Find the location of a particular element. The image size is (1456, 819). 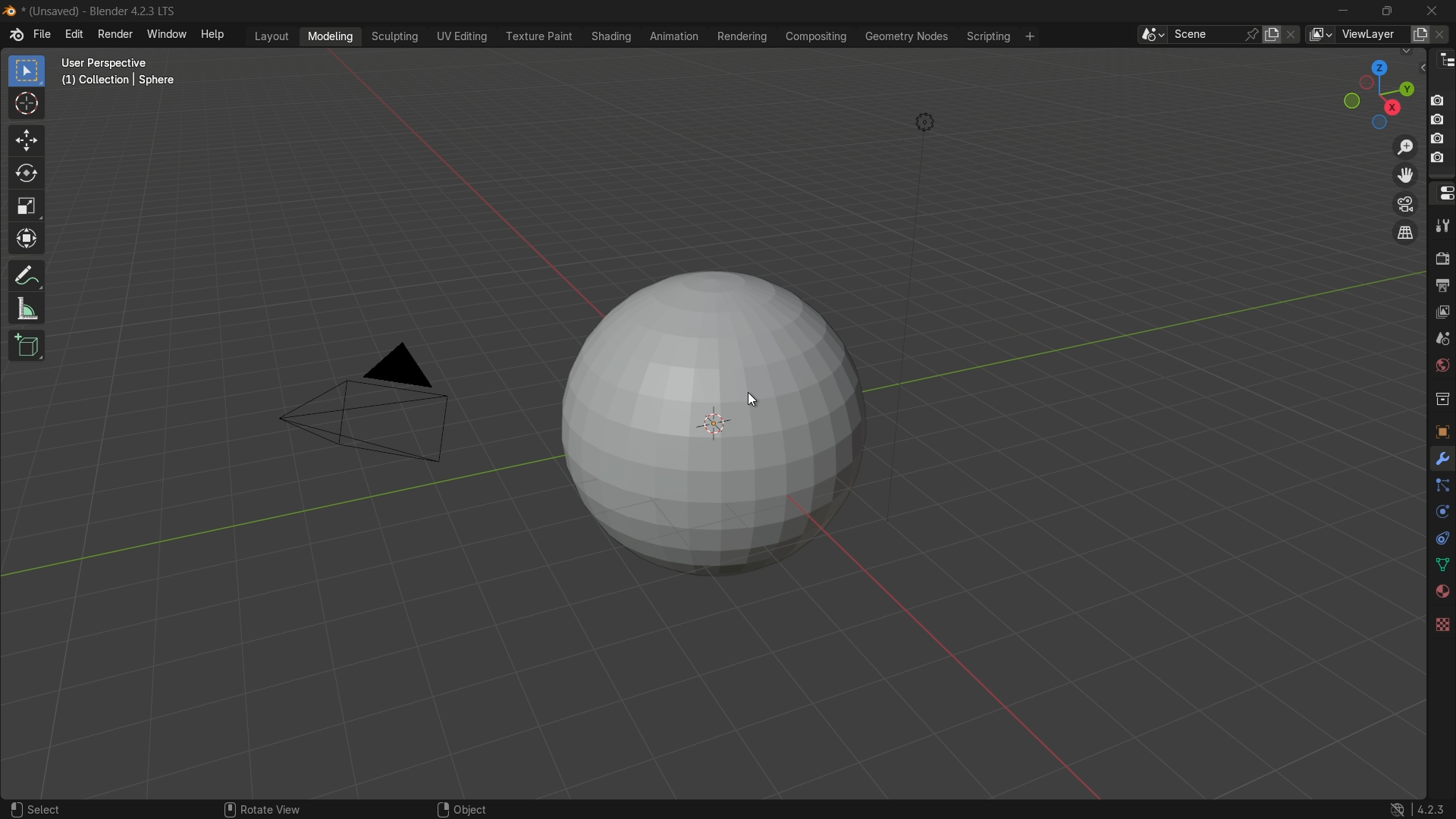

file menu is located at coordinates (43, 36).